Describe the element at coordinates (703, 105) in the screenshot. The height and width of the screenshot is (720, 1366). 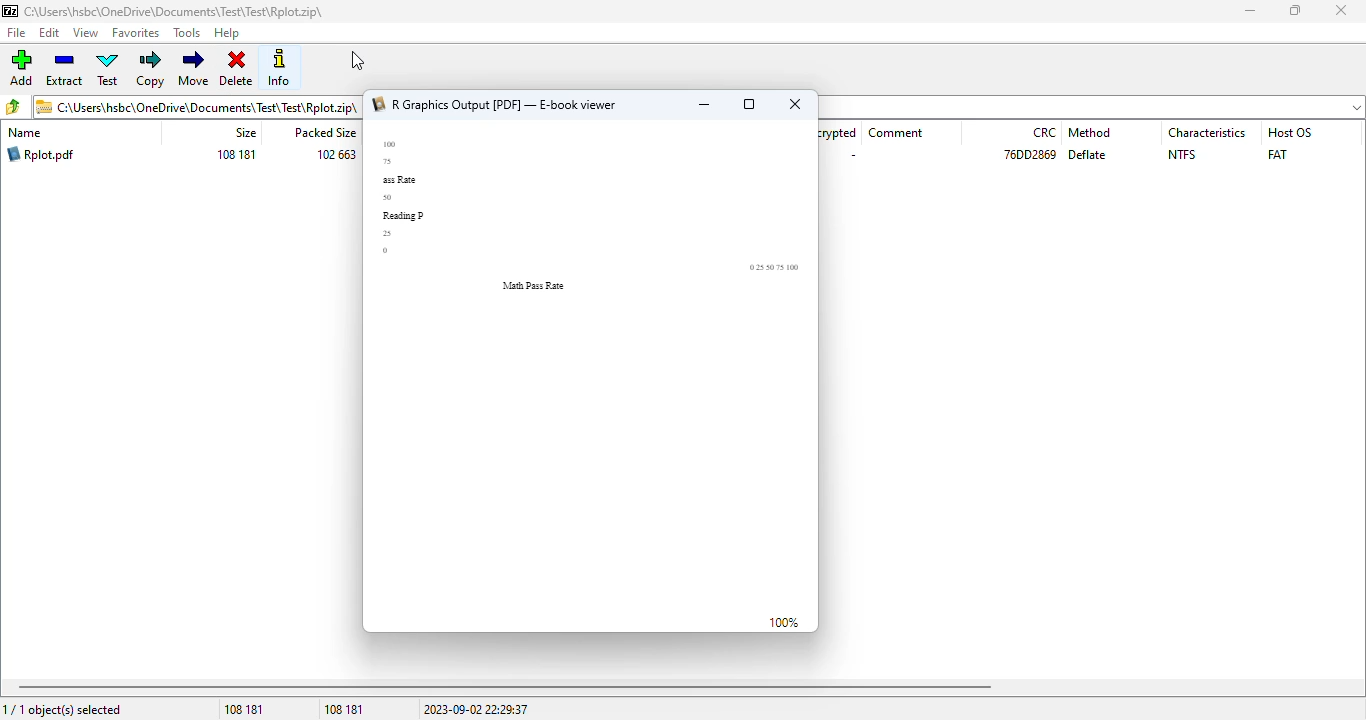
I see `minimize` at that location.